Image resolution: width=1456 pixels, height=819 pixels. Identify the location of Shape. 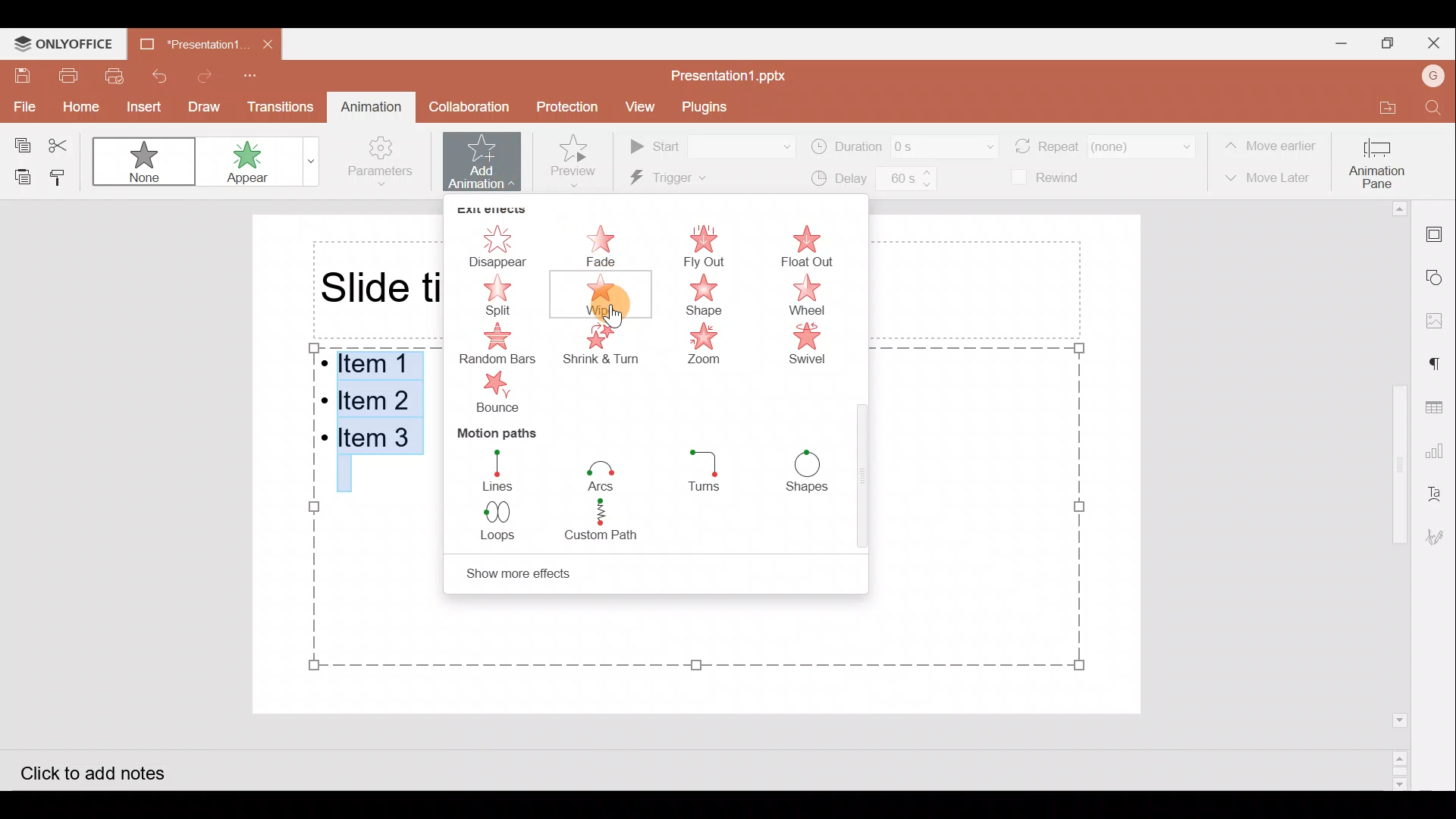
(713, 297).